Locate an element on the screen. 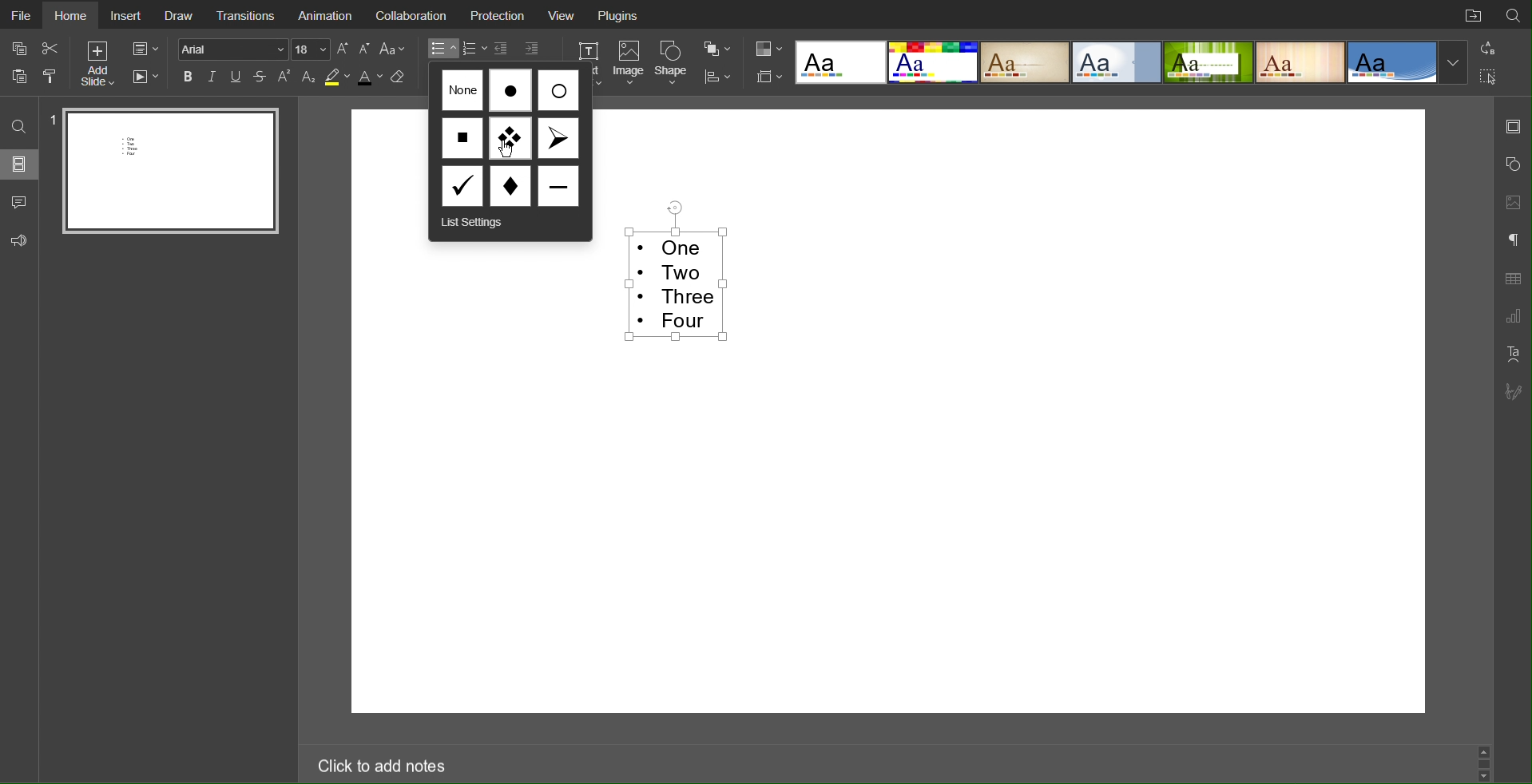 Image resolution: width=1532 pixels, height=784 pixels. Playback Settings is located at coordinates (145, 78).